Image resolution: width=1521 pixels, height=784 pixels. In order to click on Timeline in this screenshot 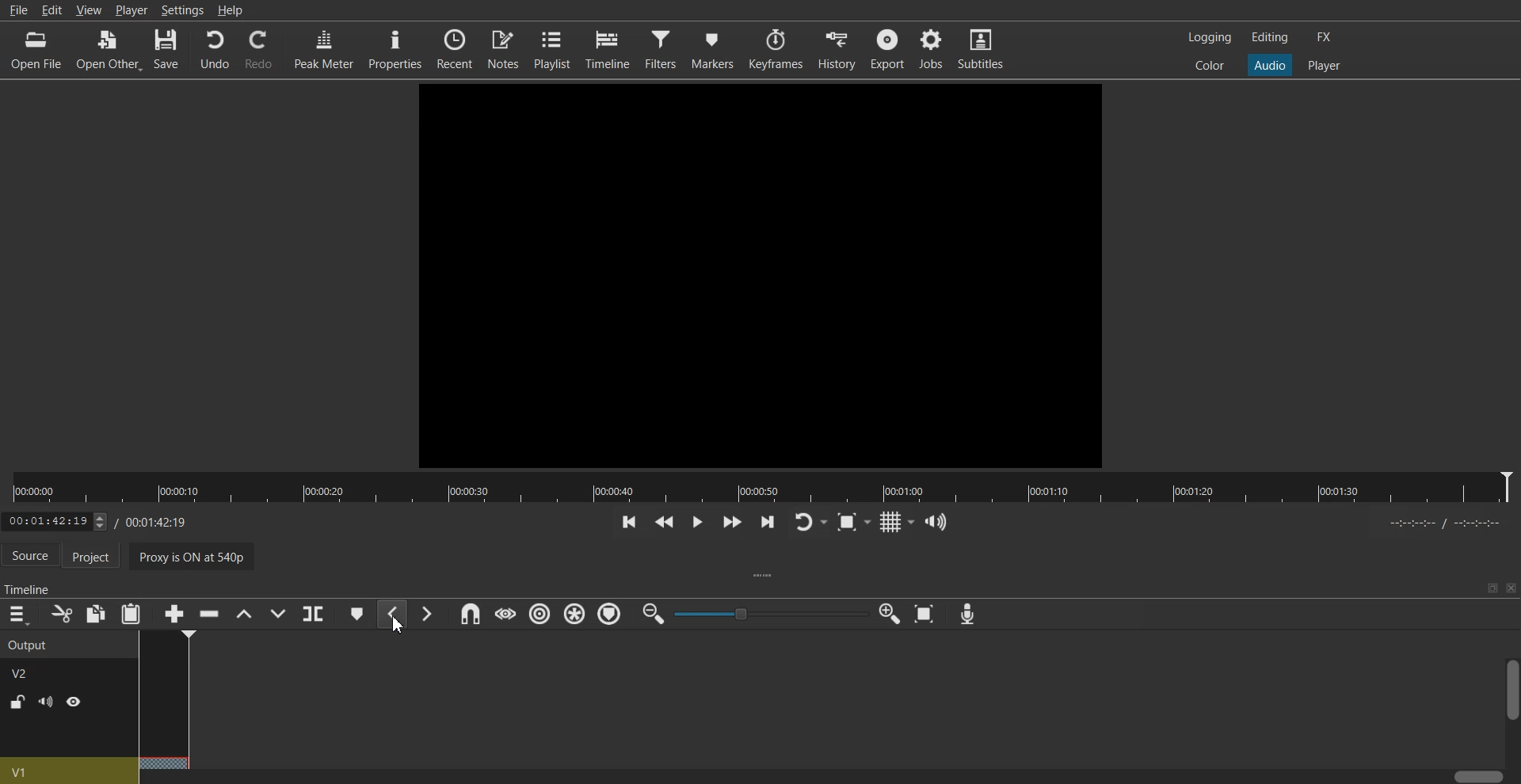, I will do `click(29, 585)`.